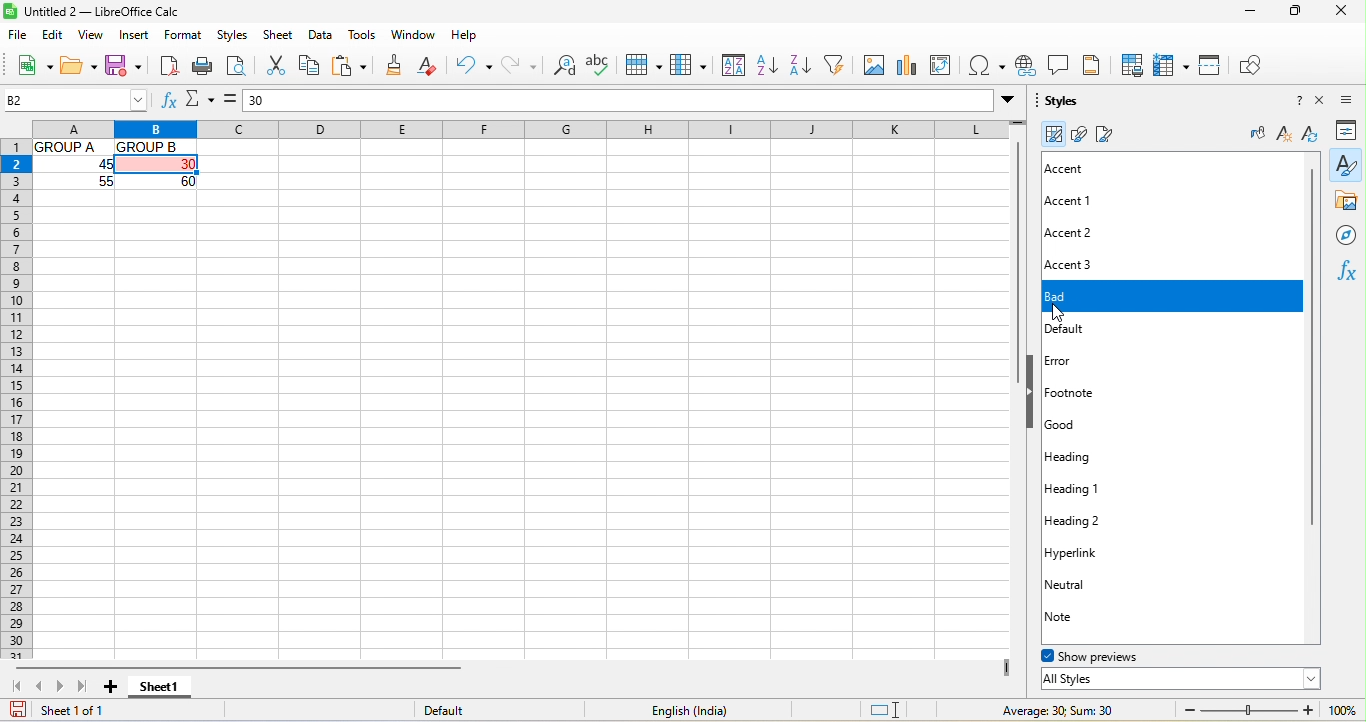 The width and height of the screenshot is (1366, 722). I want to click on format, so click(185, 36).